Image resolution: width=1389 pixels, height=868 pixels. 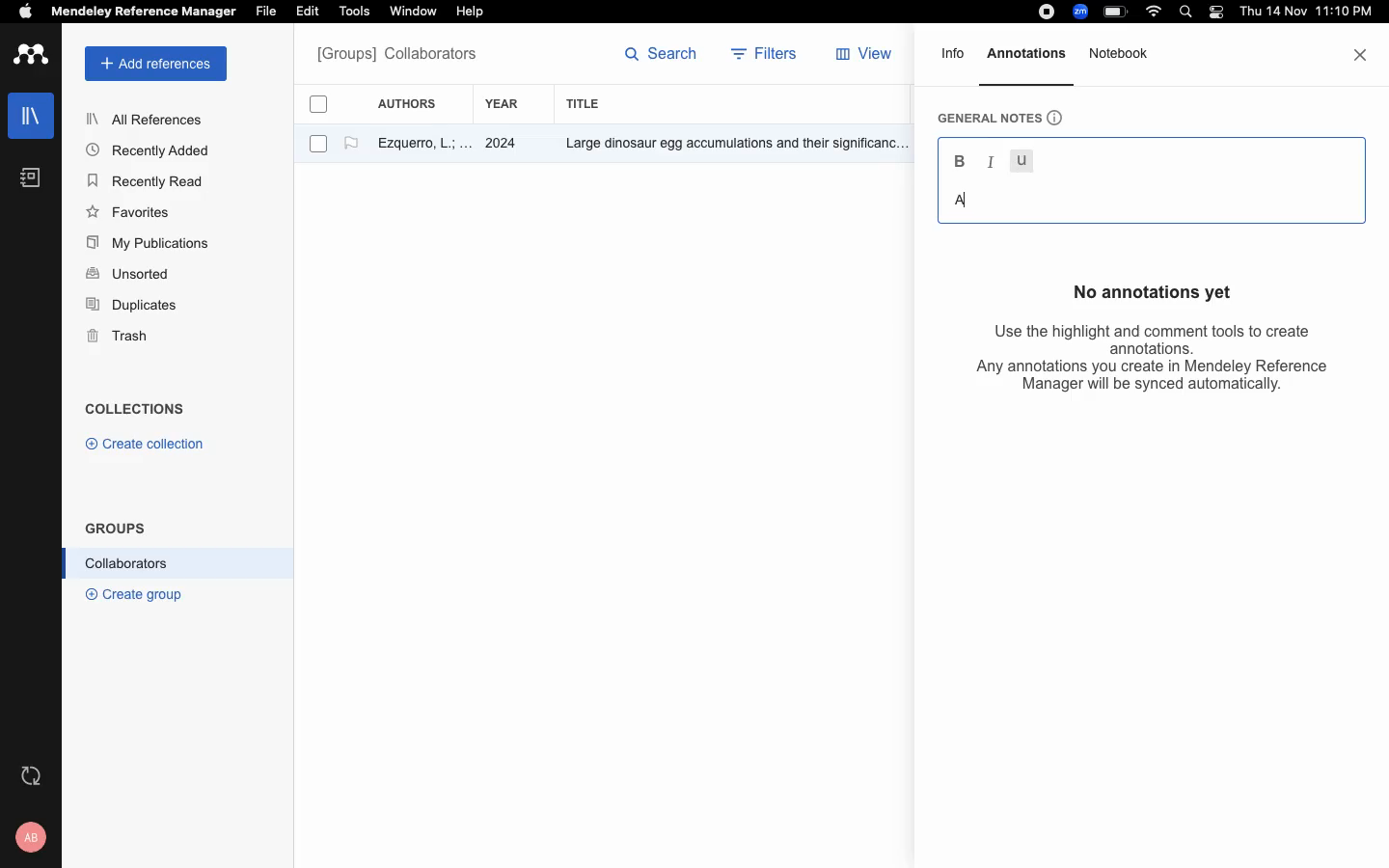 I want to click on Bold, so click(x=955, y=157).